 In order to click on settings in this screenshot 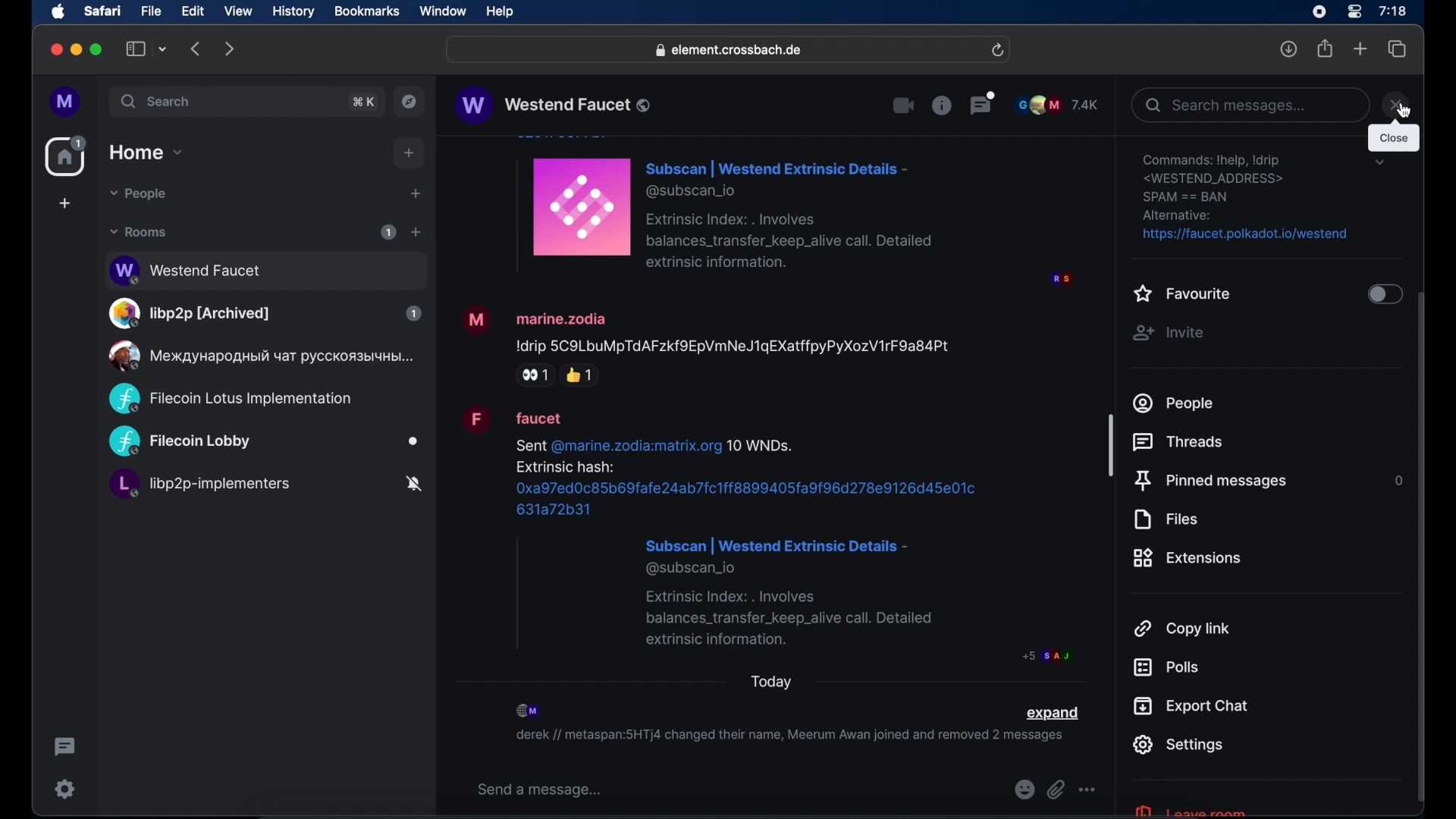, I will do `click(1178, 745)`.